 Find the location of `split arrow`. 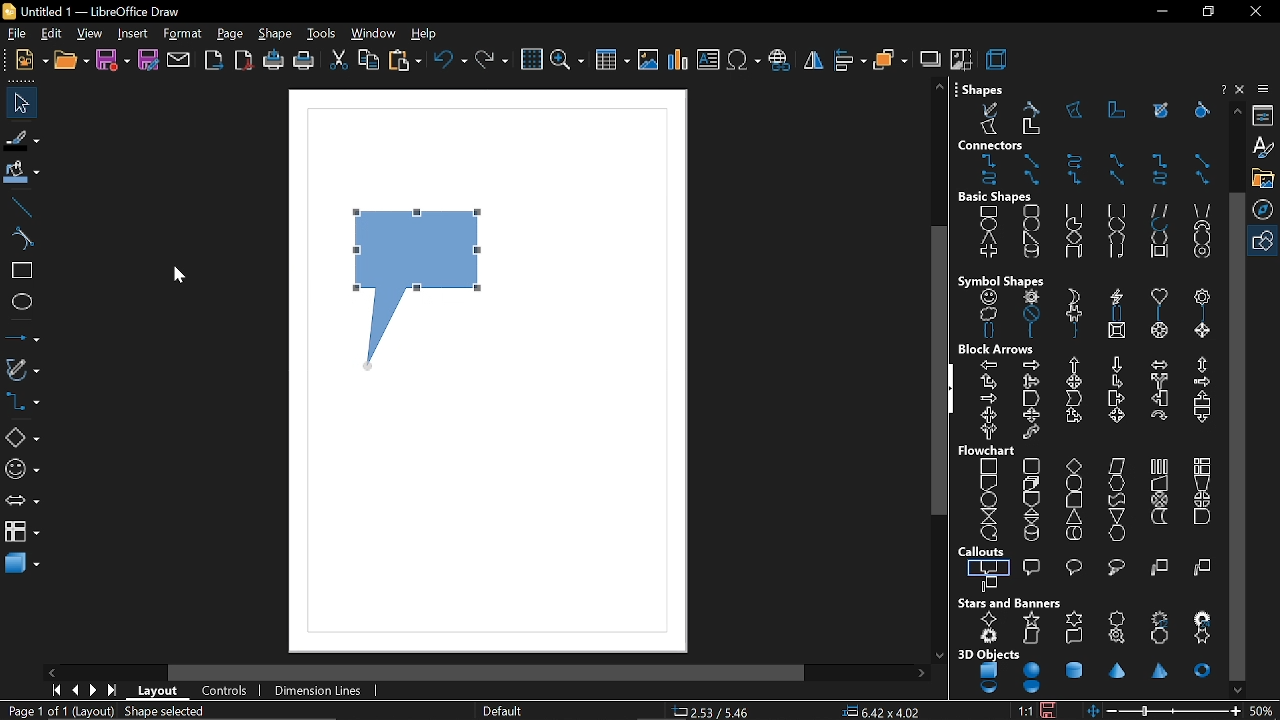

split arrow is located at coordinates (1159, 382).